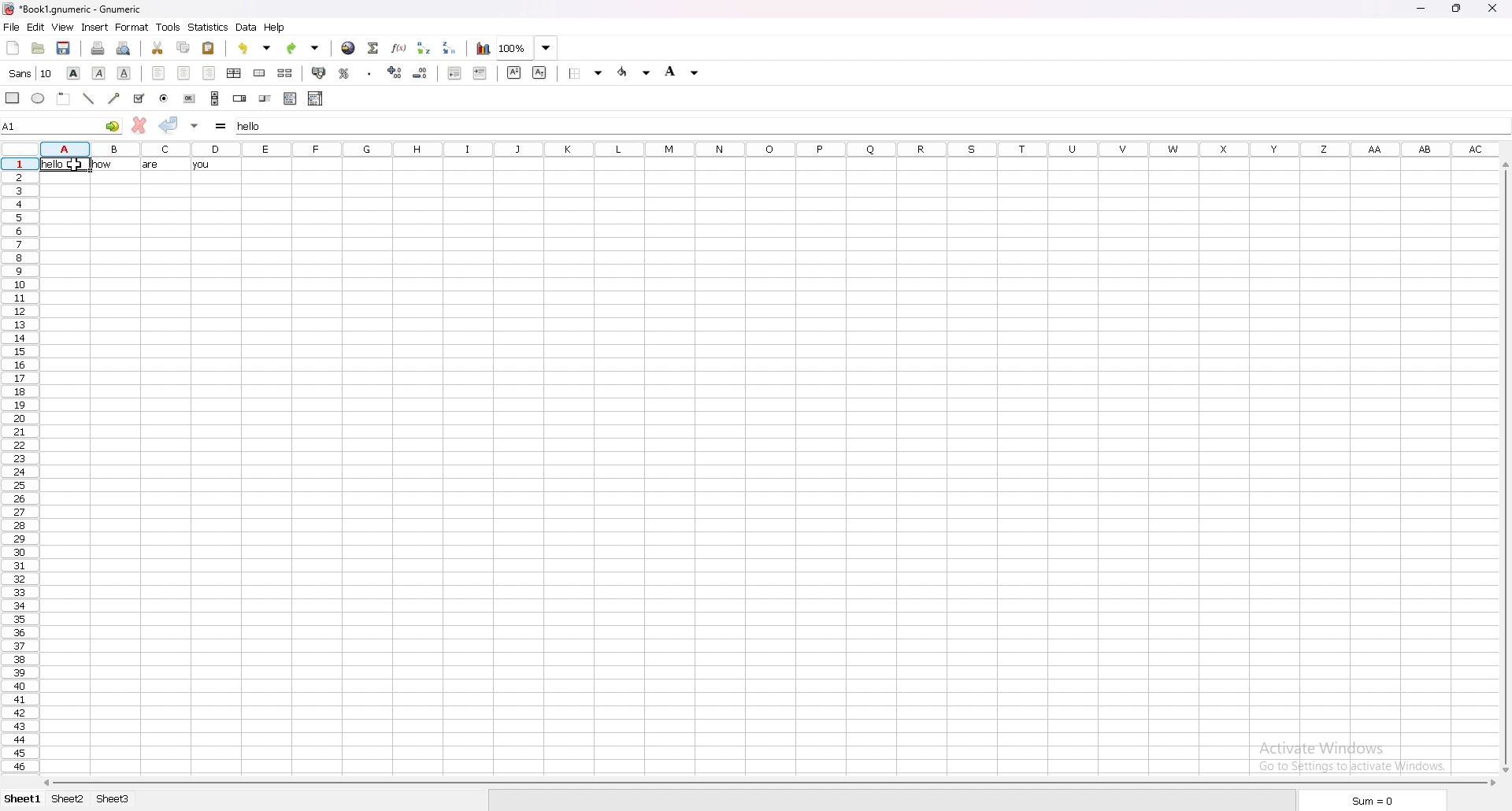 The height and width of the screenshot is (811, 1512). Describe the element at coordinates (259, 73) in the screenshot. I see `merge cells` at that location.